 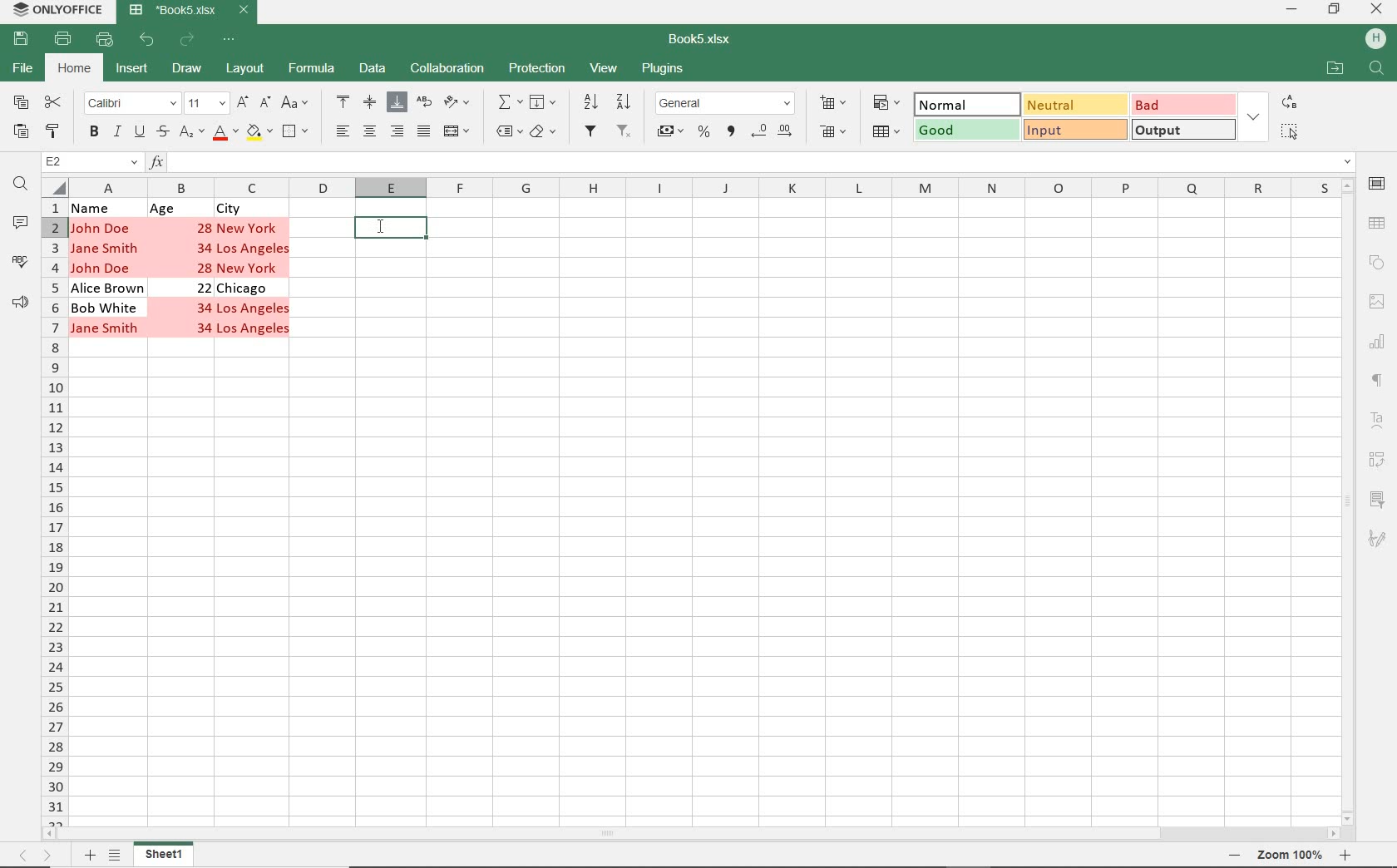 What do you see at coordinates (204, 288) in the screenshot?
I see `22` at bounding box center [204, 288].